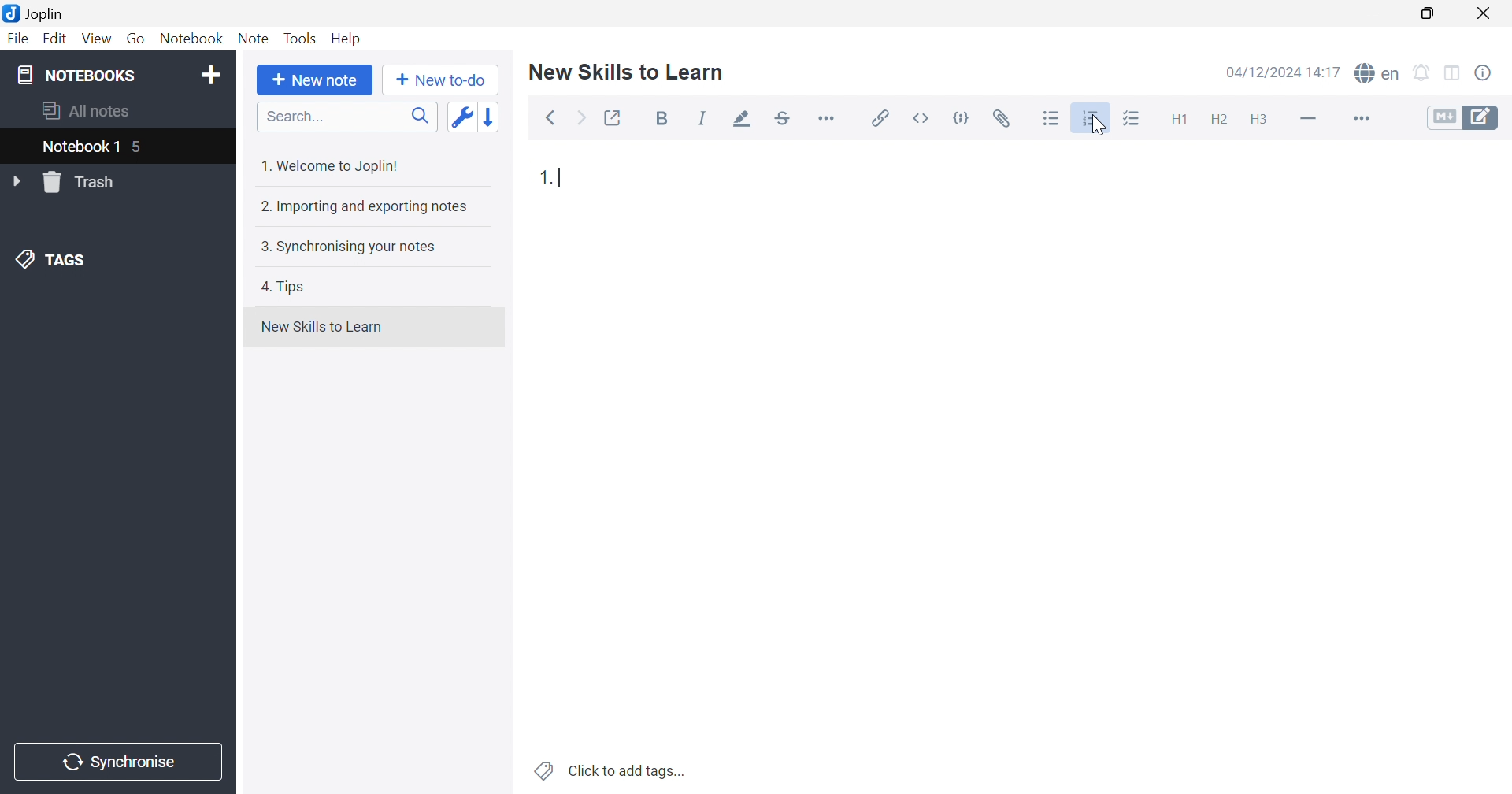 This screenshot has width=1512, height=794. Describe the element at coordinates (1378, 13) in the screenshot. I see `Minimize` at that location.